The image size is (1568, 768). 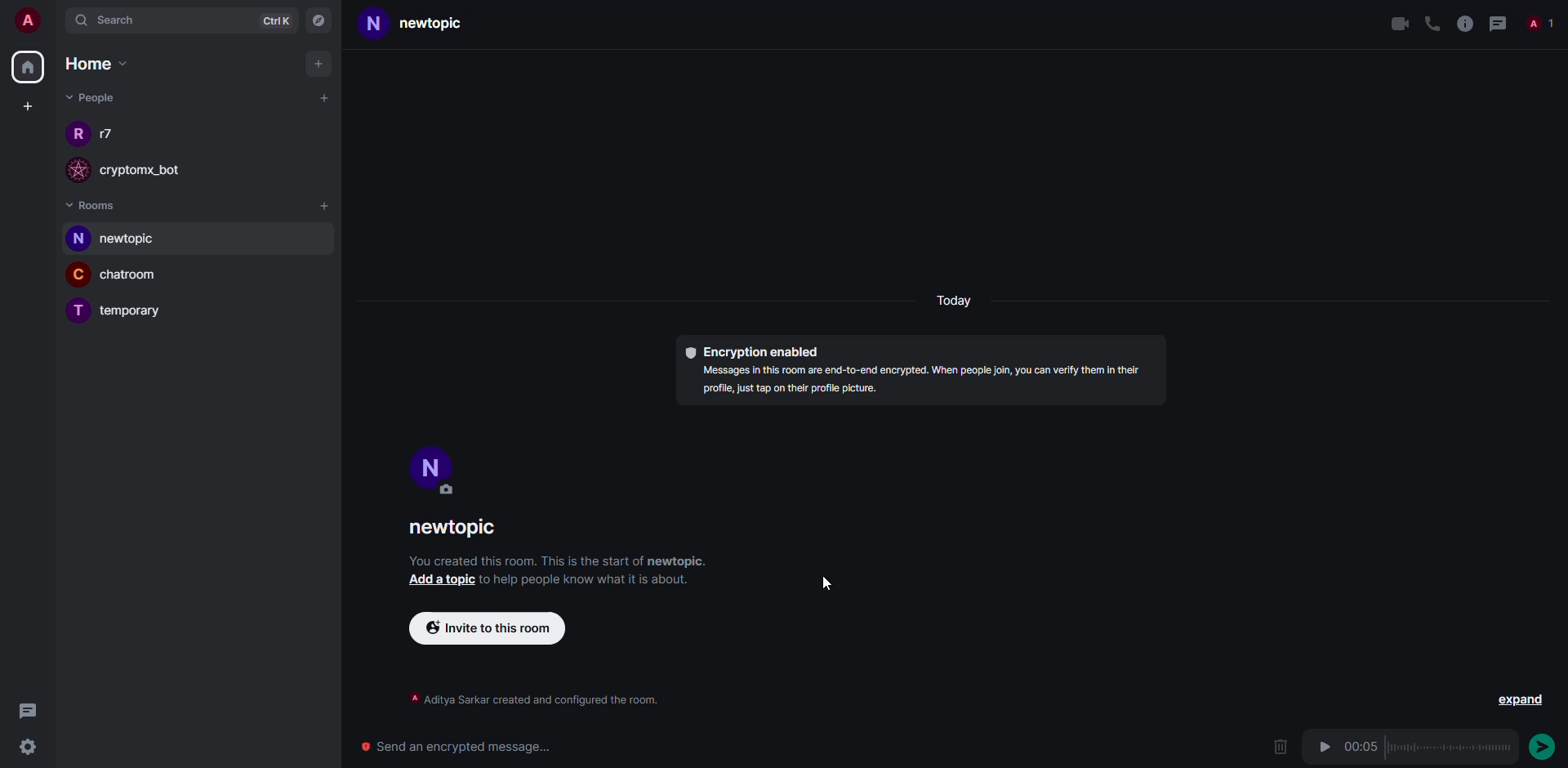 I want to click on recorded voice, so click(x=1449, y=747).